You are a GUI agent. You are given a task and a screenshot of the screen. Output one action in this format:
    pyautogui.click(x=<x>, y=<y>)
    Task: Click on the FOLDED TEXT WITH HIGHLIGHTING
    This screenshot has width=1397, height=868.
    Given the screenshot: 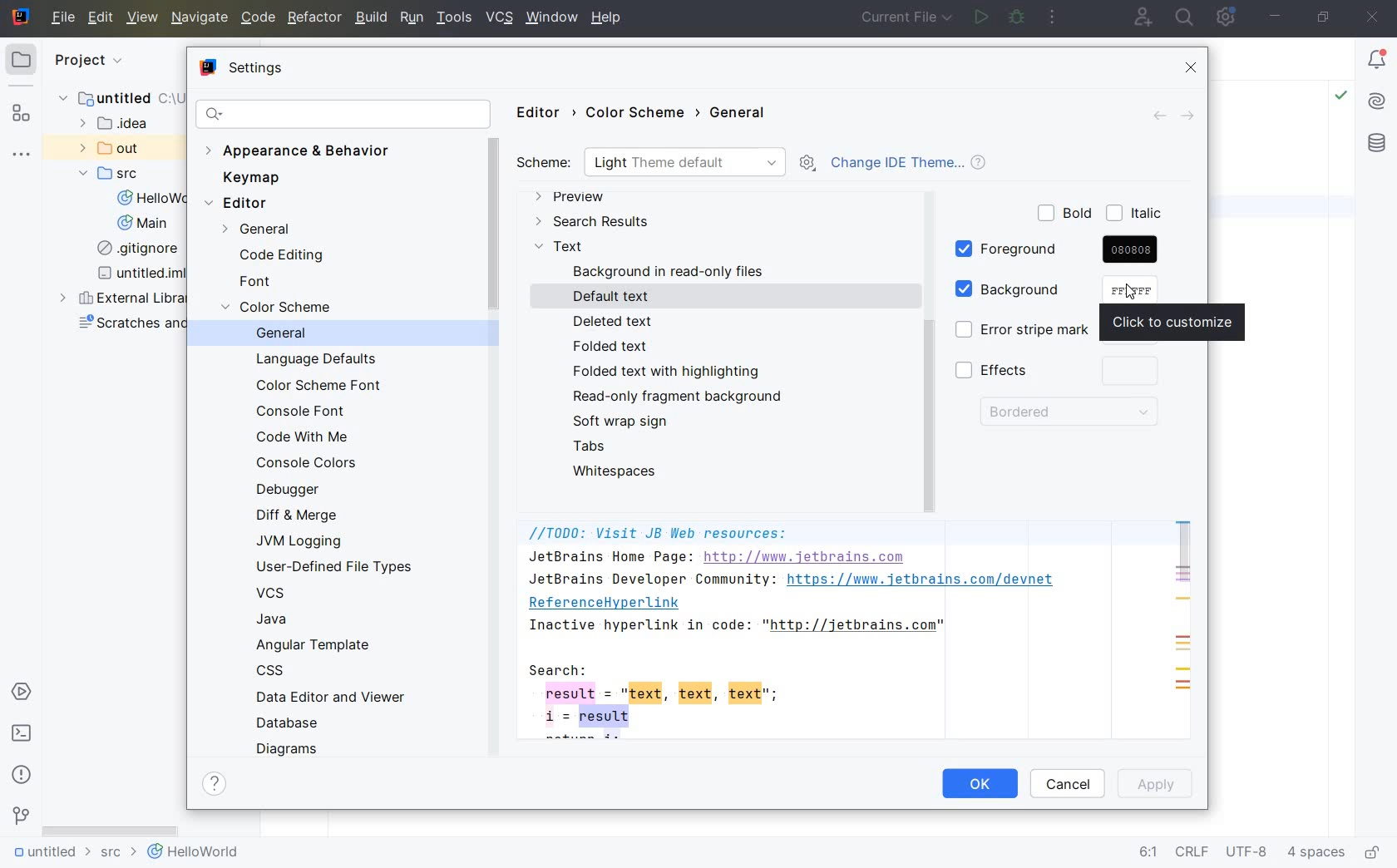 What is the action you would take?
    pyautogui.click(x=668, y=372)
    